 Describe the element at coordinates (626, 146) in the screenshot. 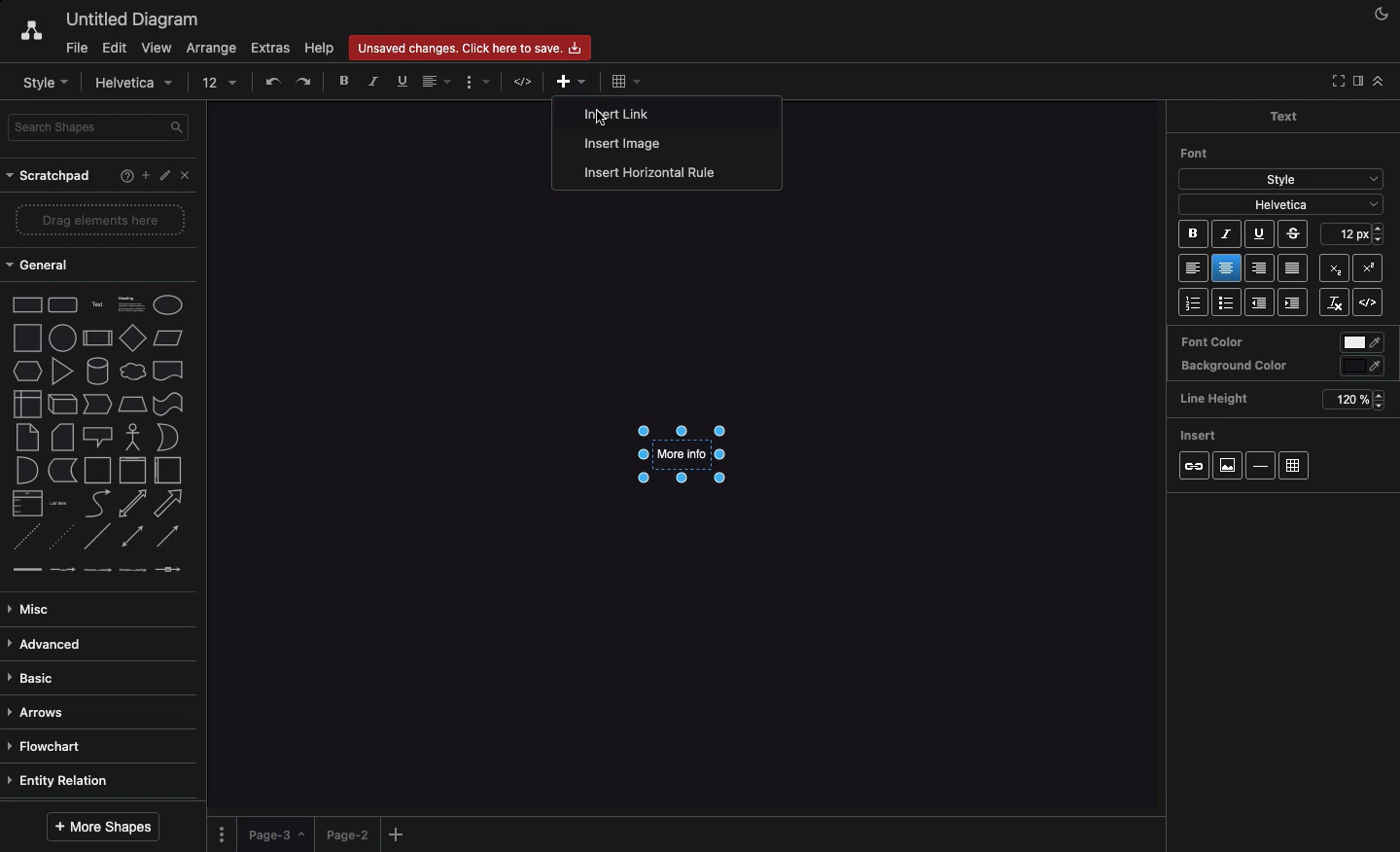

I see `Insert image` at that location.